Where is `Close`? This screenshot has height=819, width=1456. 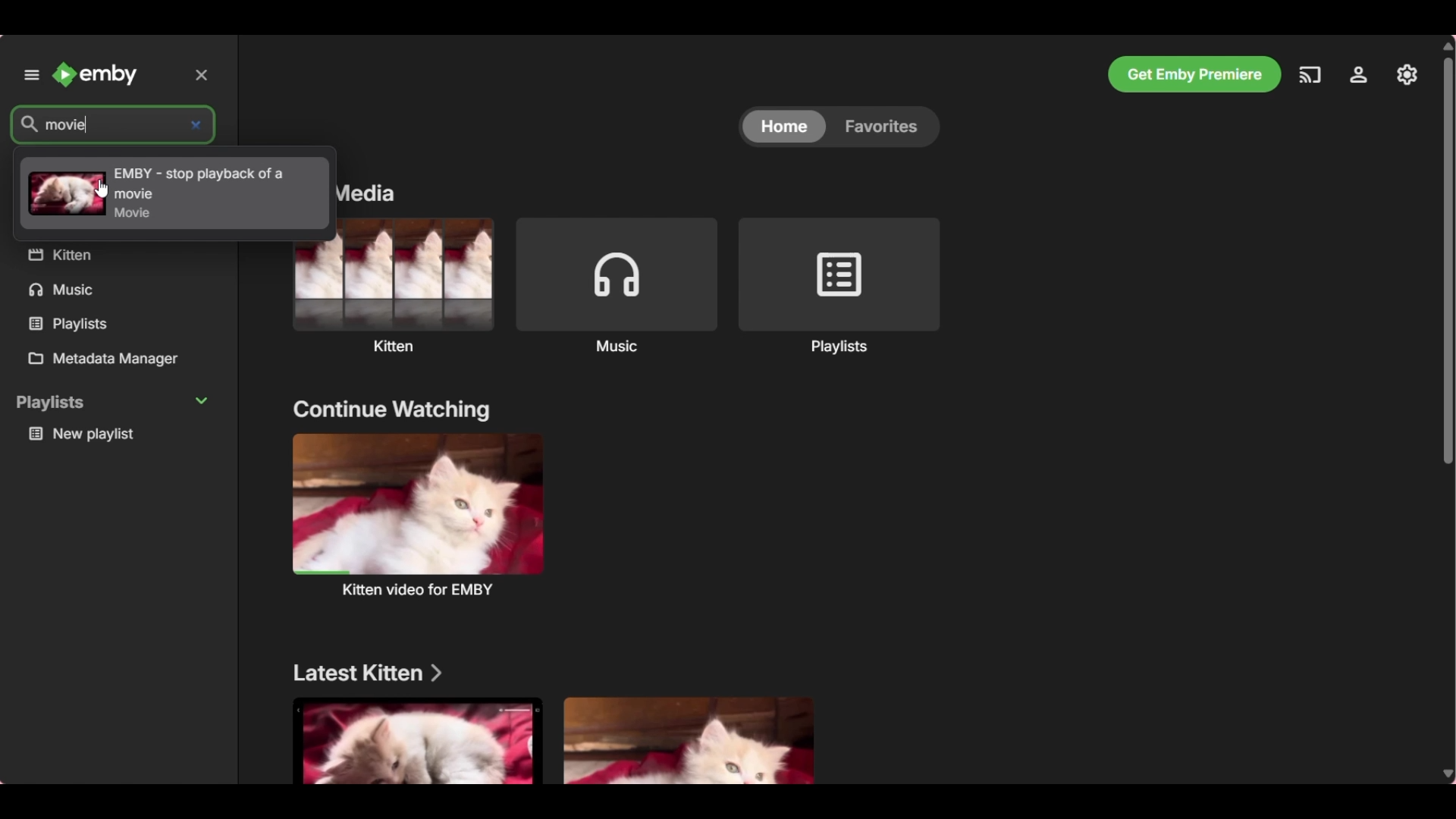 Close is located at coordinates (206, 73).